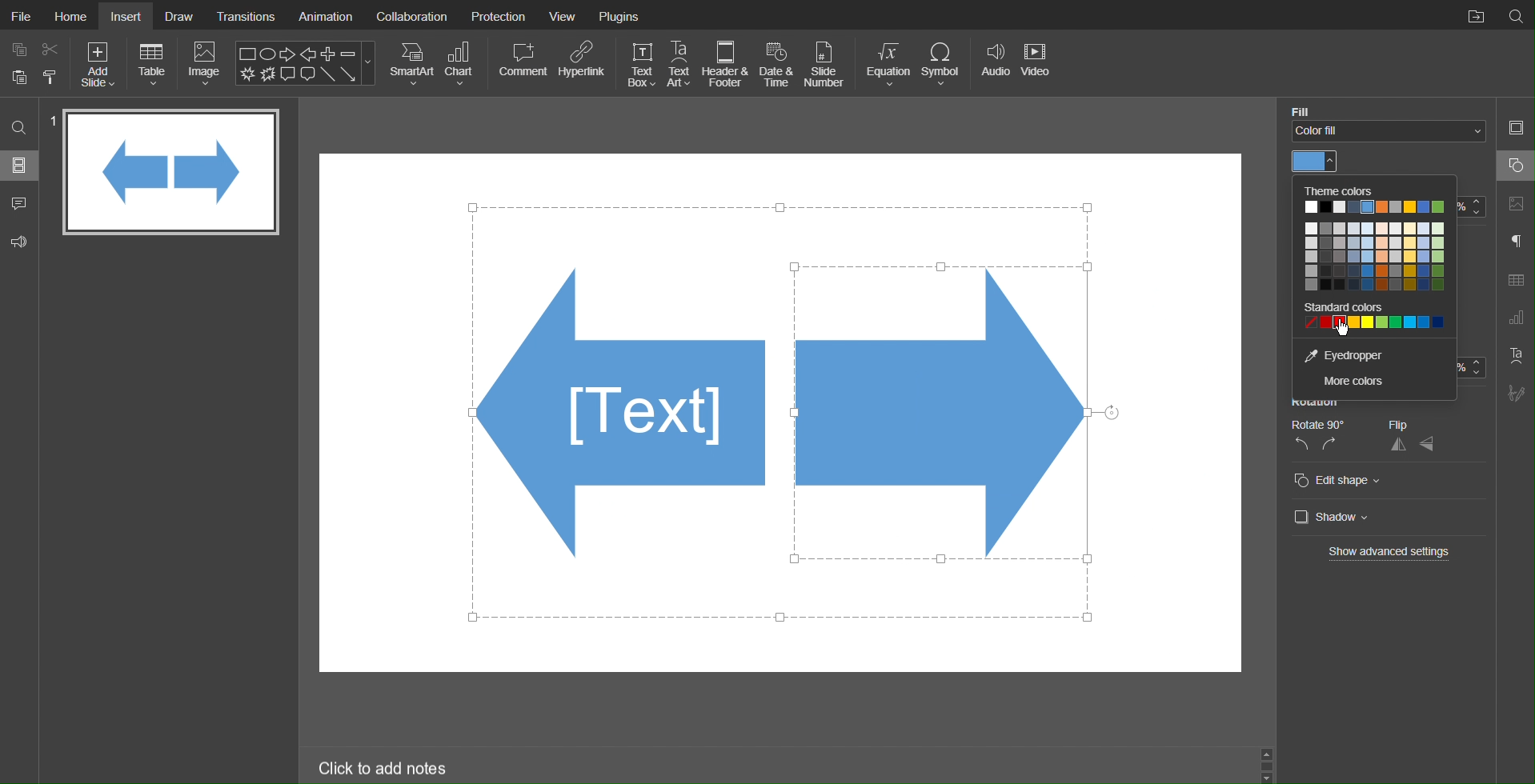  What do you see at coordinates (1390, 554) in the screenshot?
I see `Show advanced settings` at bounding box center [1390, 554].